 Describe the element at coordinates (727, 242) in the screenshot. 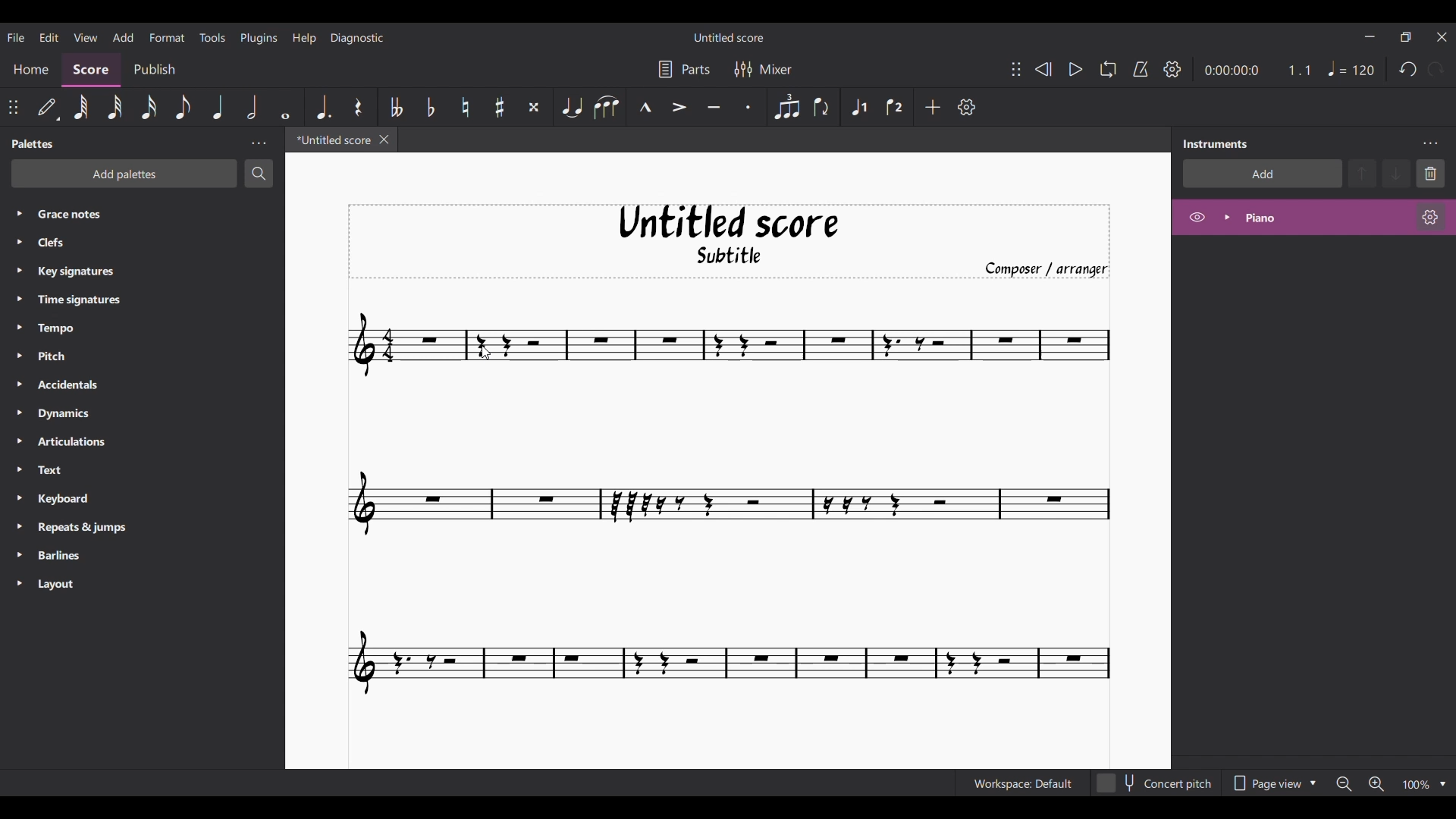

I see `Title, sub-title, and composer name` at that location.